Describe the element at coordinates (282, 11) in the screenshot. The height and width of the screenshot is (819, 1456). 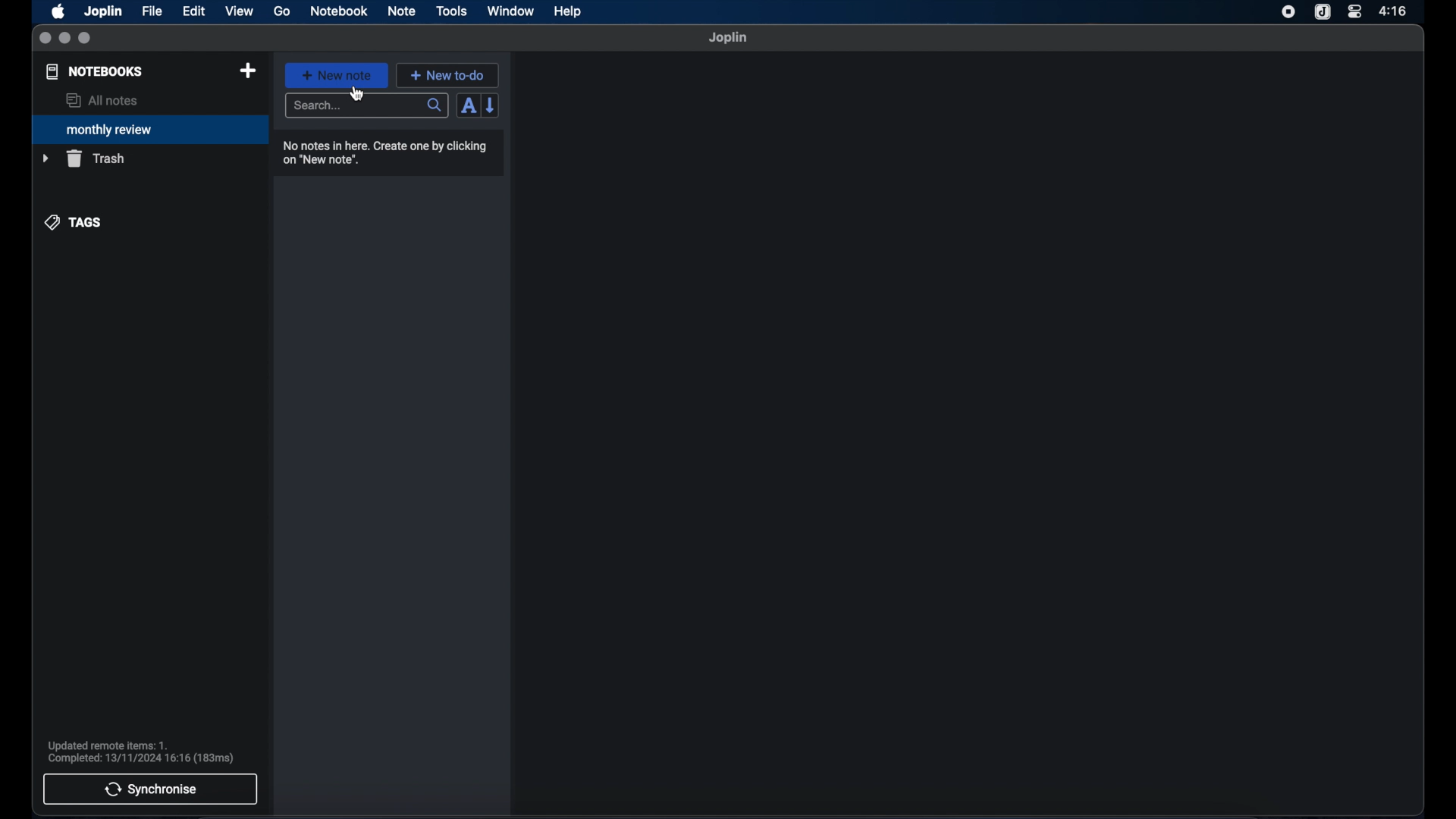
I see `go` at that location.